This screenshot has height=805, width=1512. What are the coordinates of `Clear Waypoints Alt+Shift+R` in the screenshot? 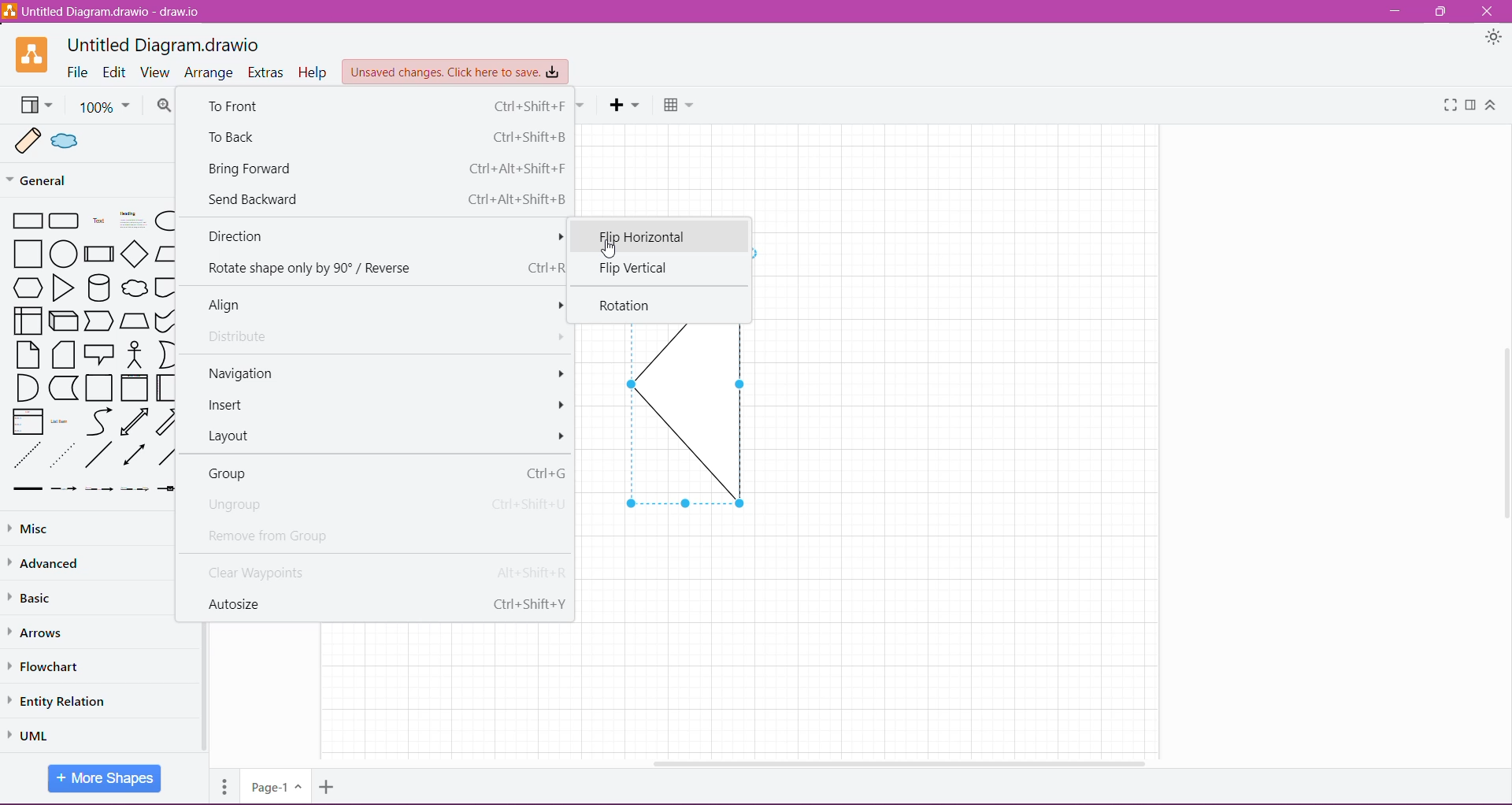 It's located at (387, 576).